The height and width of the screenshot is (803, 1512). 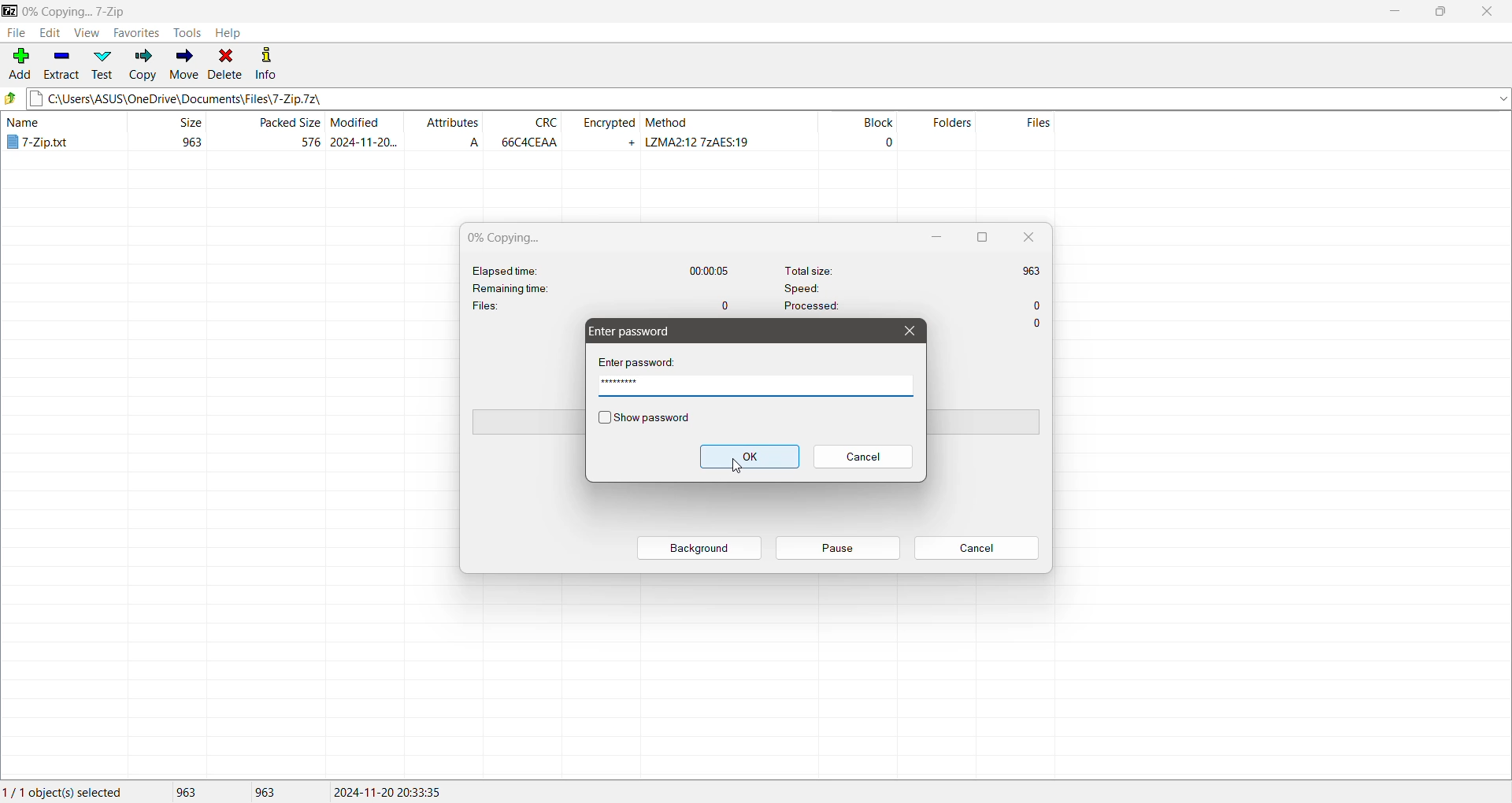 I want to click on , so click(x=1039, y=324).